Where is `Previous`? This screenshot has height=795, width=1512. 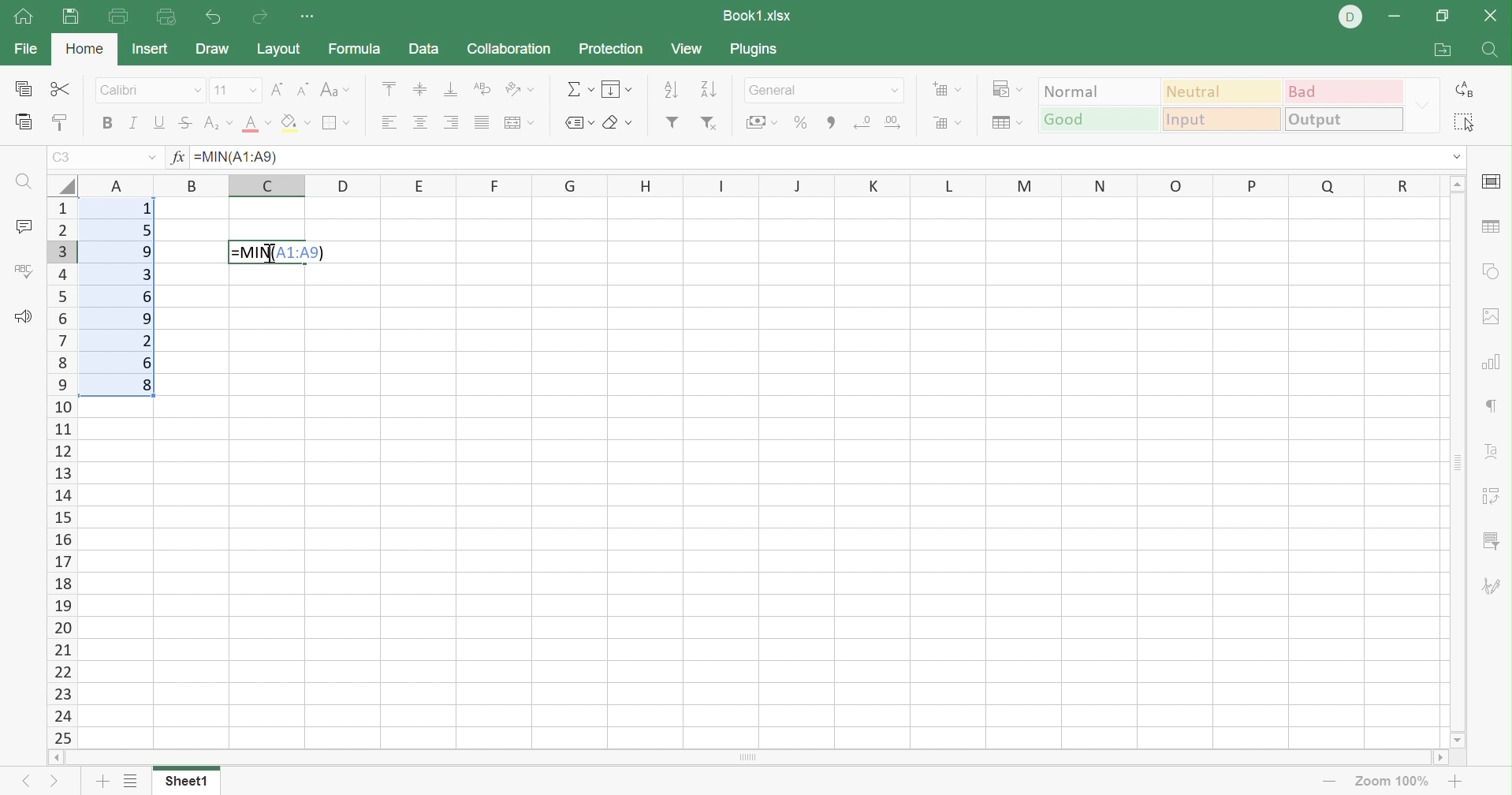
Previous is located at coordinates (27, 784).